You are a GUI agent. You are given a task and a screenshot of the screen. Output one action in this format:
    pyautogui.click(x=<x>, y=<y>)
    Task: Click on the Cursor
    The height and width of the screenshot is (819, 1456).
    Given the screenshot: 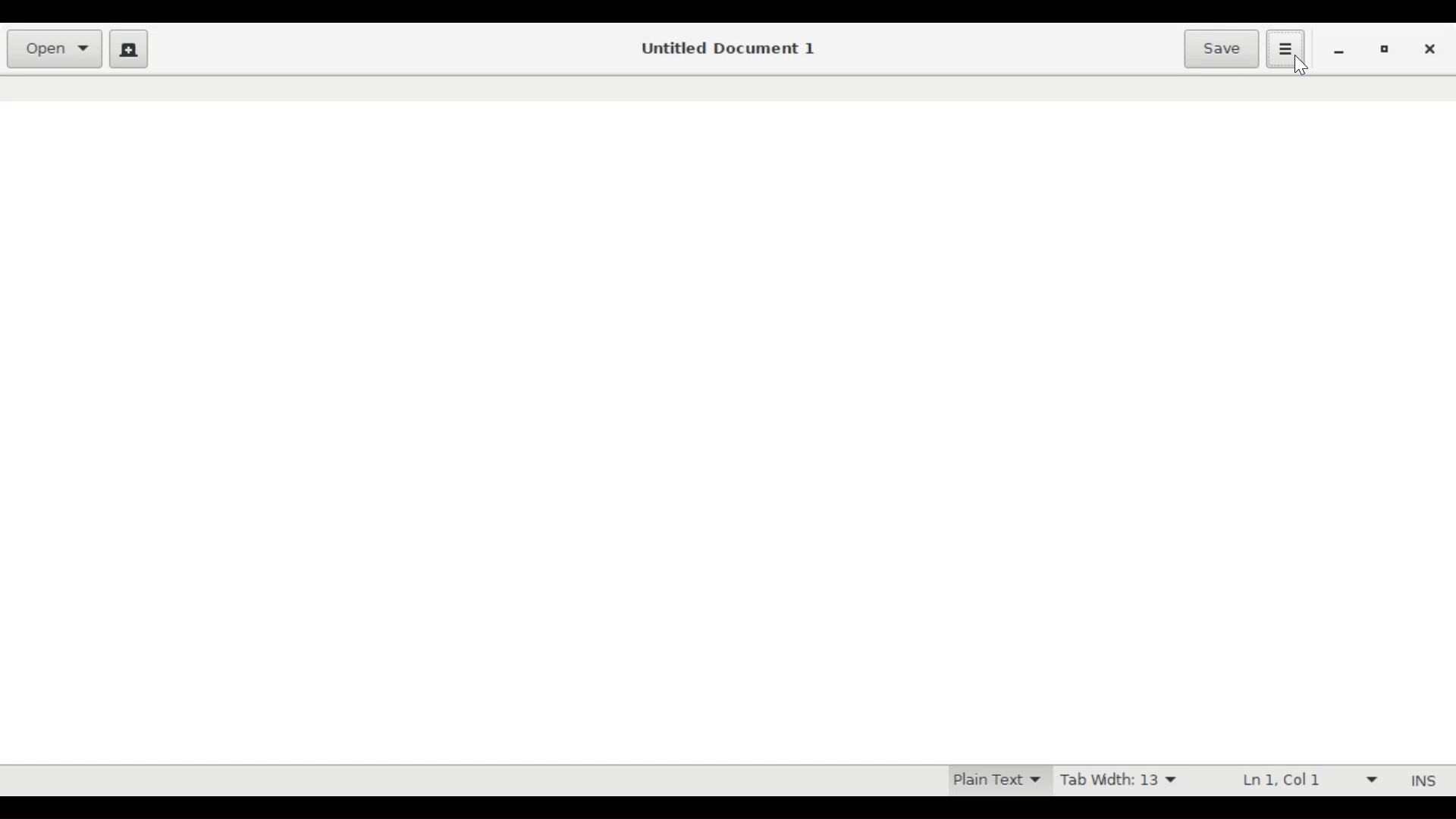 What is the action you would take?
    pyautogui.click(x=1295, y=65)
    